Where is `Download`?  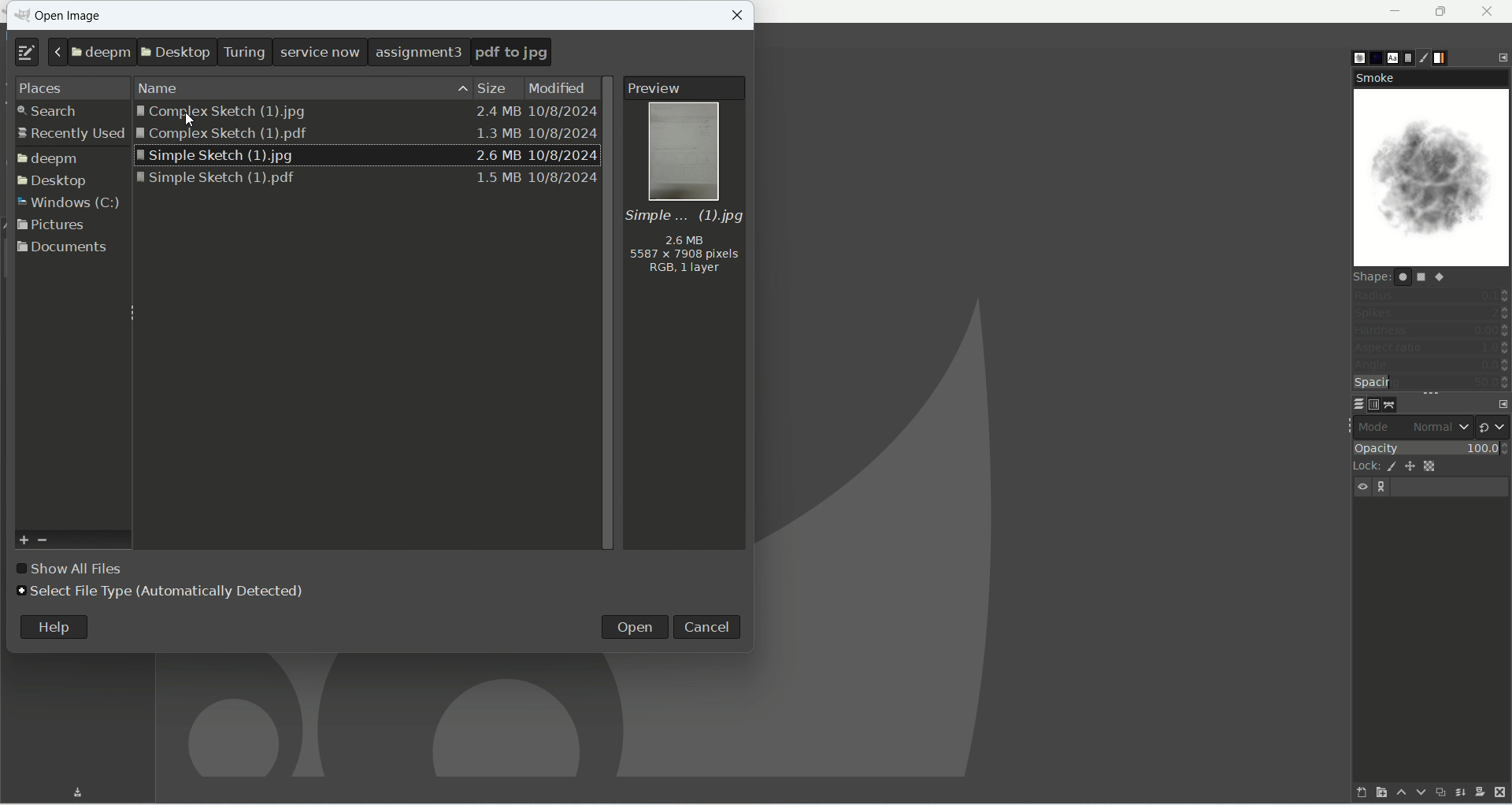 Download is located at coordinates (80, 789).